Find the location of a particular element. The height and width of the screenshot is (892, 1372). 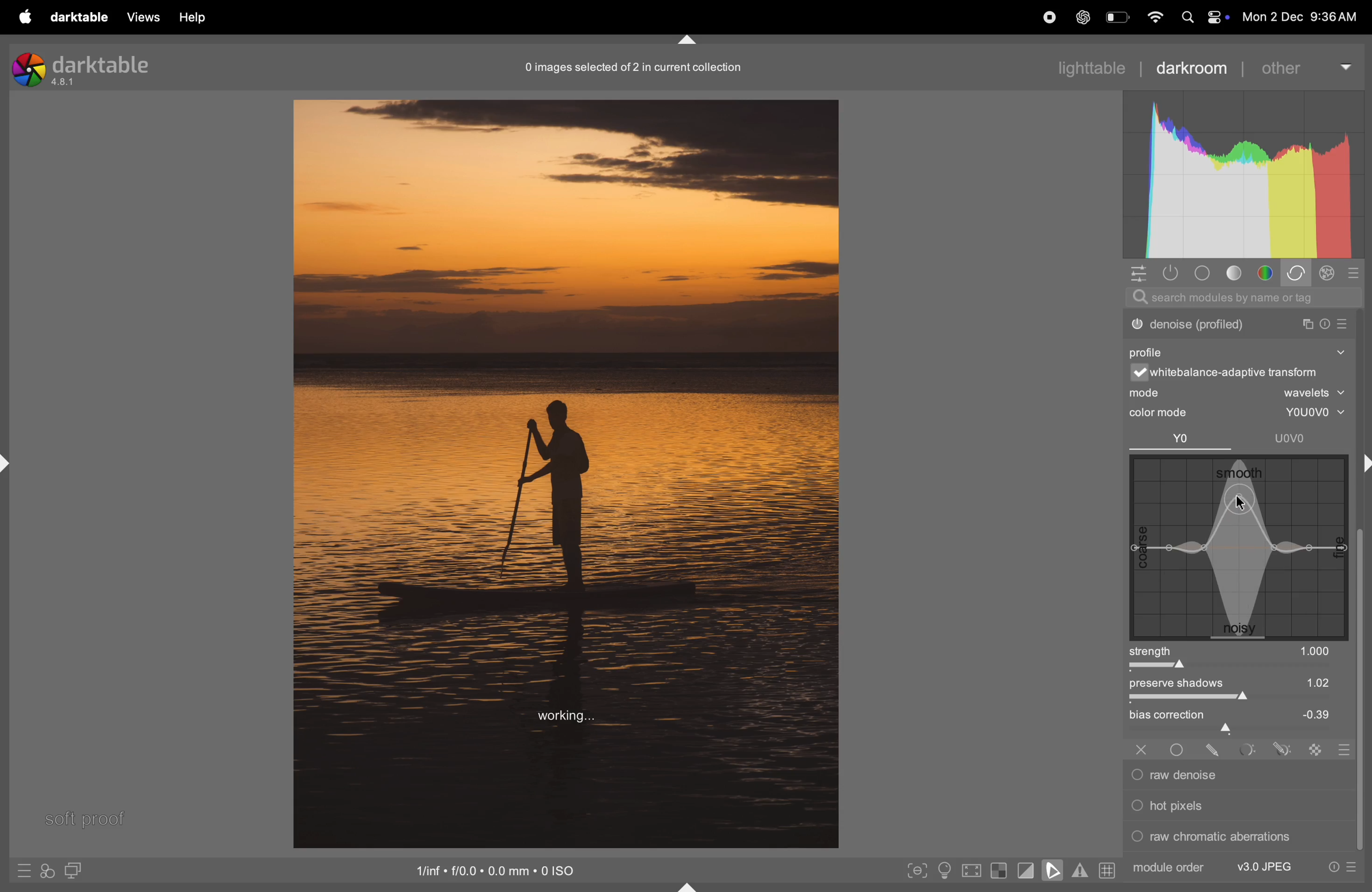

sign  is located at coordinates (1358, 273).